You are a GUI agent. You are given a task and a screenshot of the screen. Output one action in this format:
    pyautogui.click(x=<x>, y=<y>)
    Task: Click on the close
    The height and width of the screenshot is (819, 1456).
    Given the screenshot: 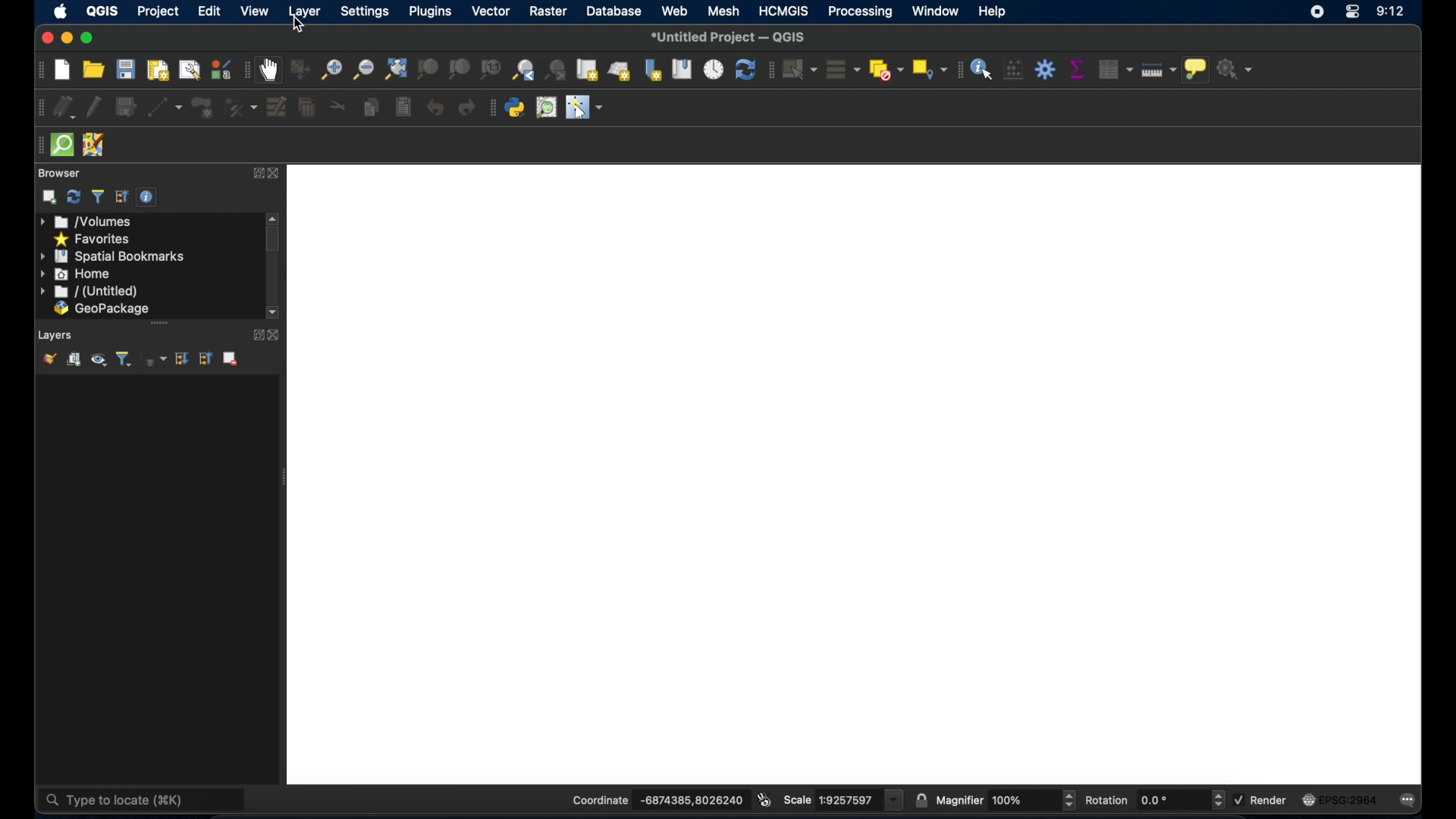 What is the action you would take?
    pyautogui.click(x=44, y=37)
    